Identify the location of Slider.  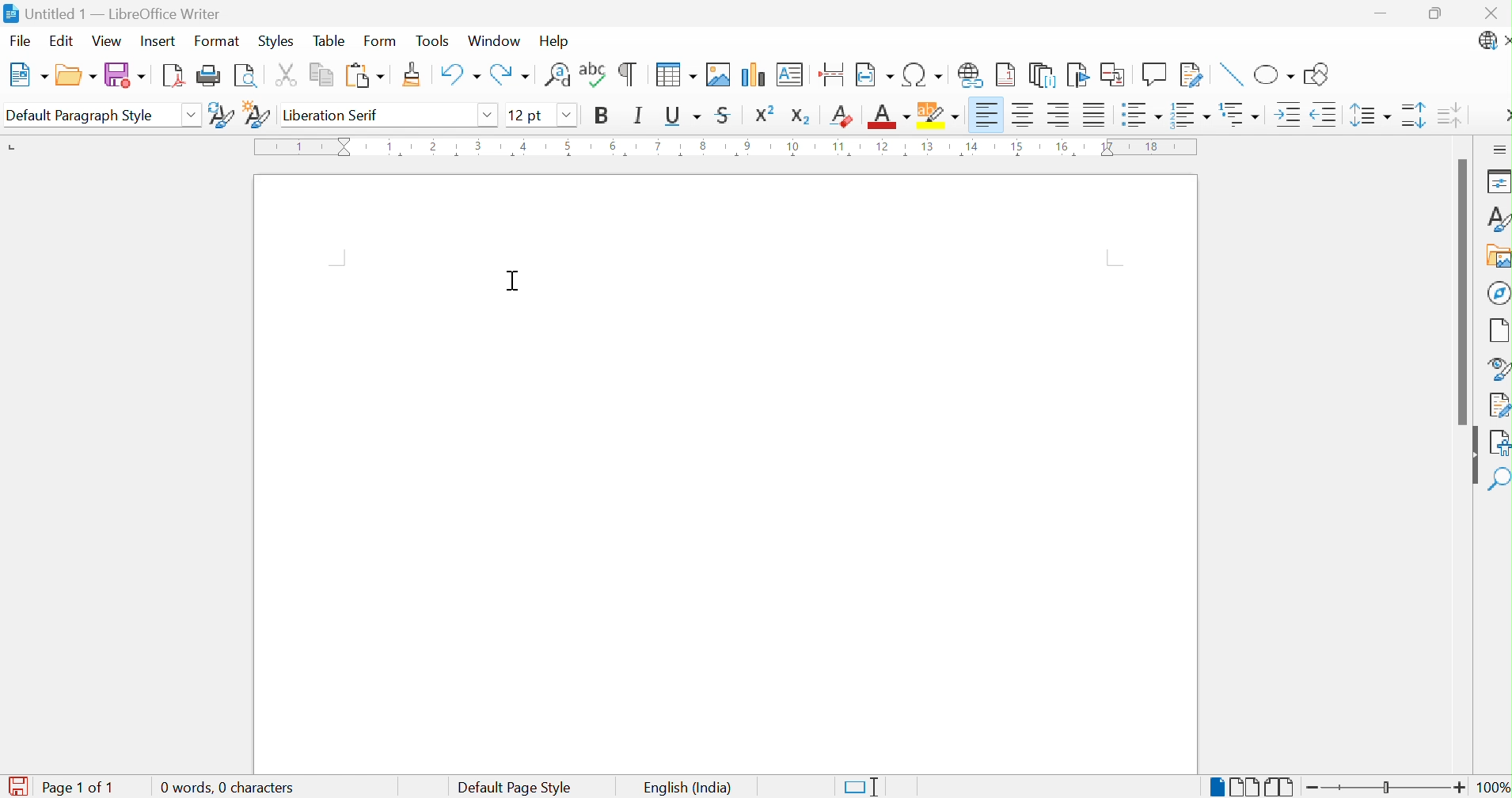
(1386, 788).